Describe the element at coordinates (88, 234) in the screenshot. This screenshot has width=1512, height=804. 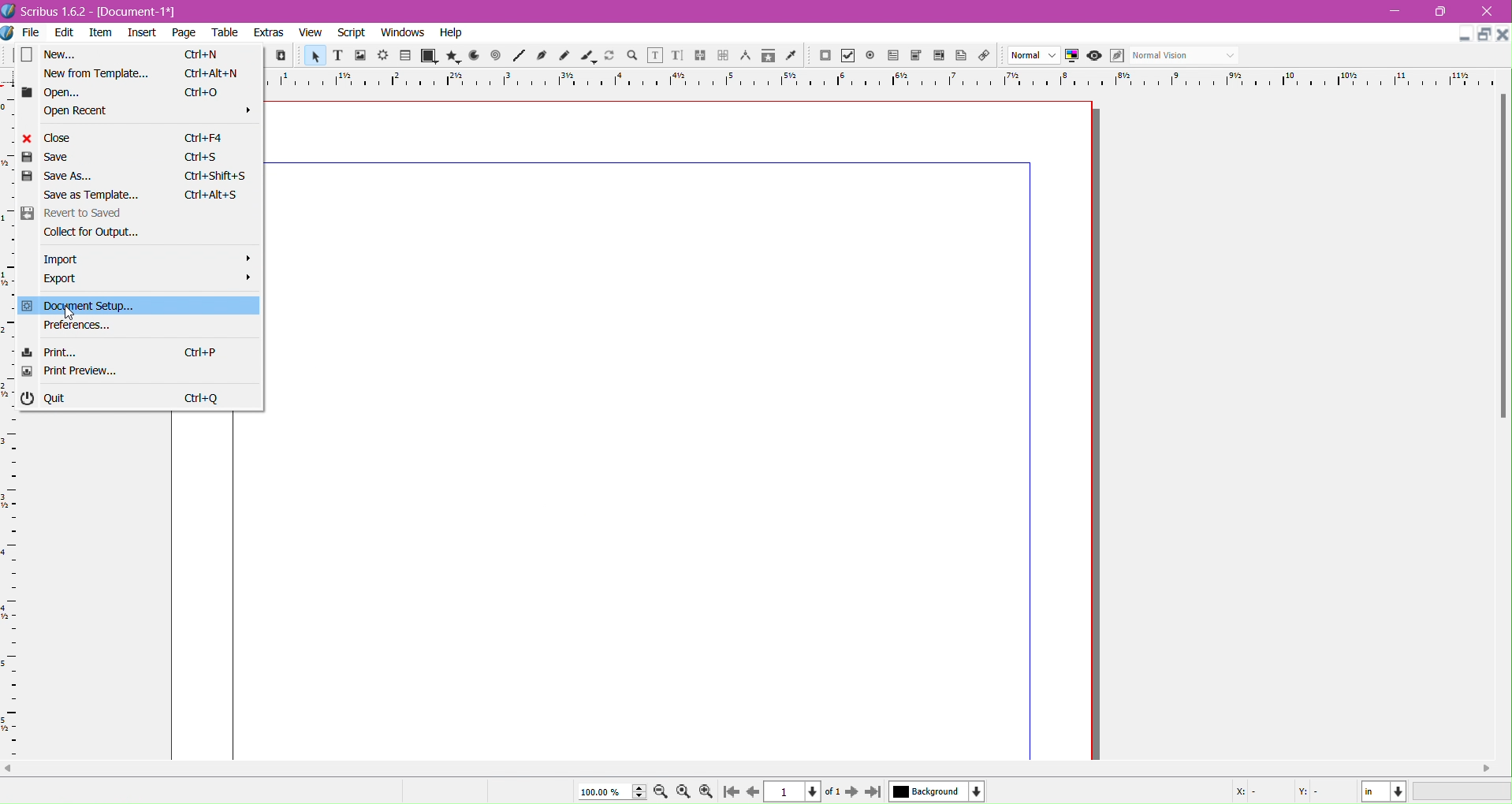
I see `collect for output` at that location.